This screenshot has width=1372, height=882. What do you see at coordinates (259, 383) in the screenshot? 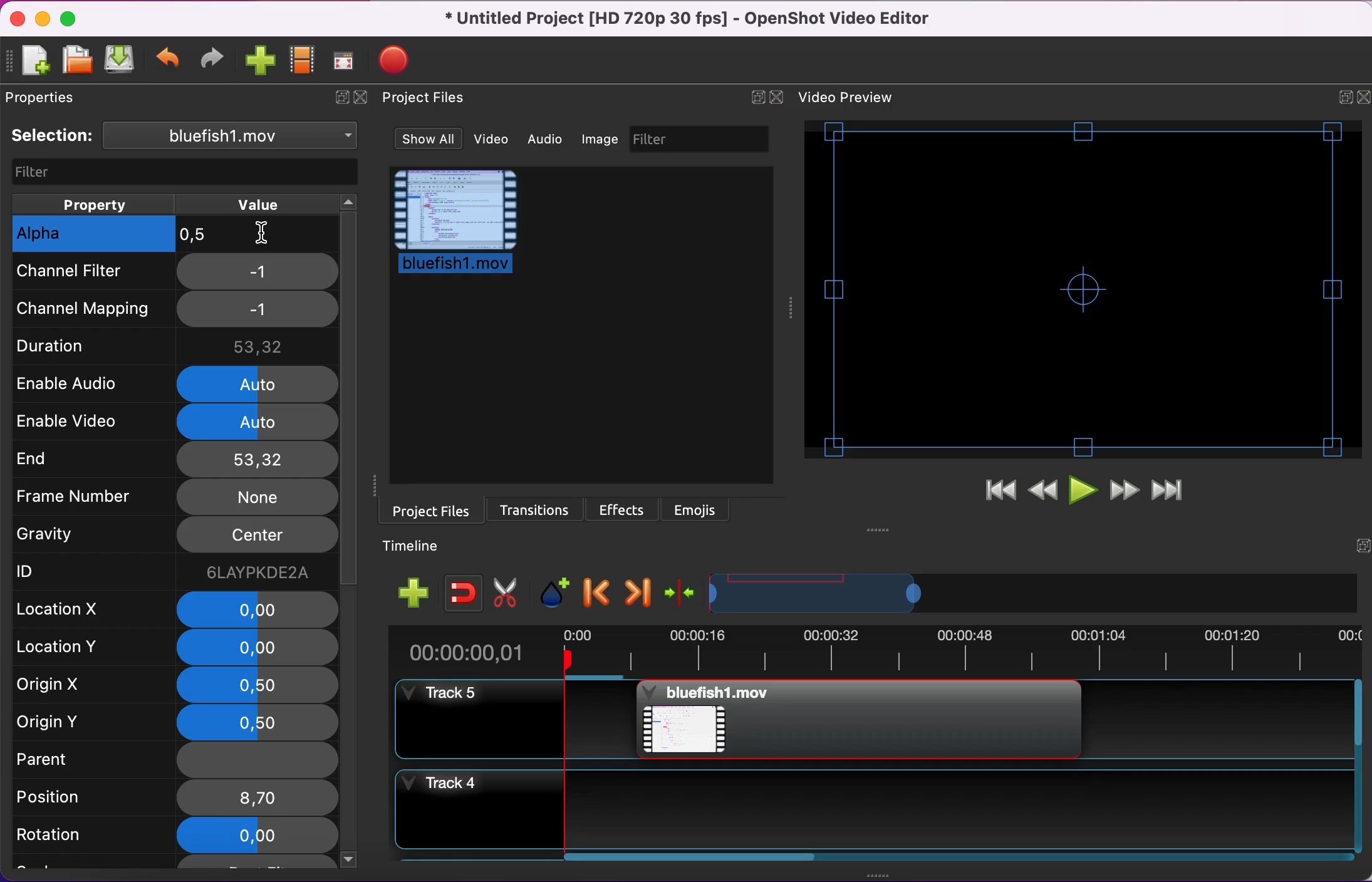
I see `auto` at bounding box center [259, 383].